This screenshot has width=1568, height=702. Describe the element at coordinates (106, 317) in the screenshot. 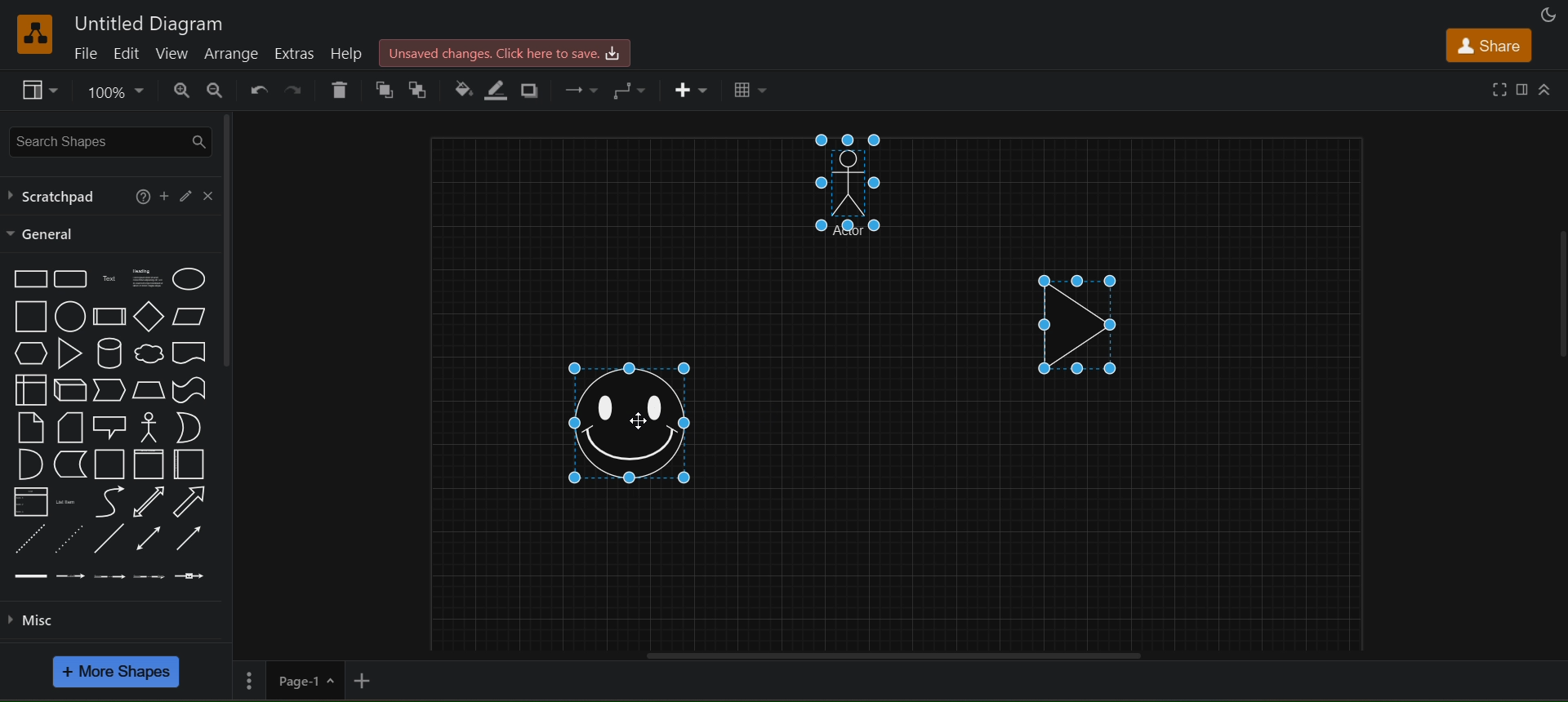

I see `process` at that location.